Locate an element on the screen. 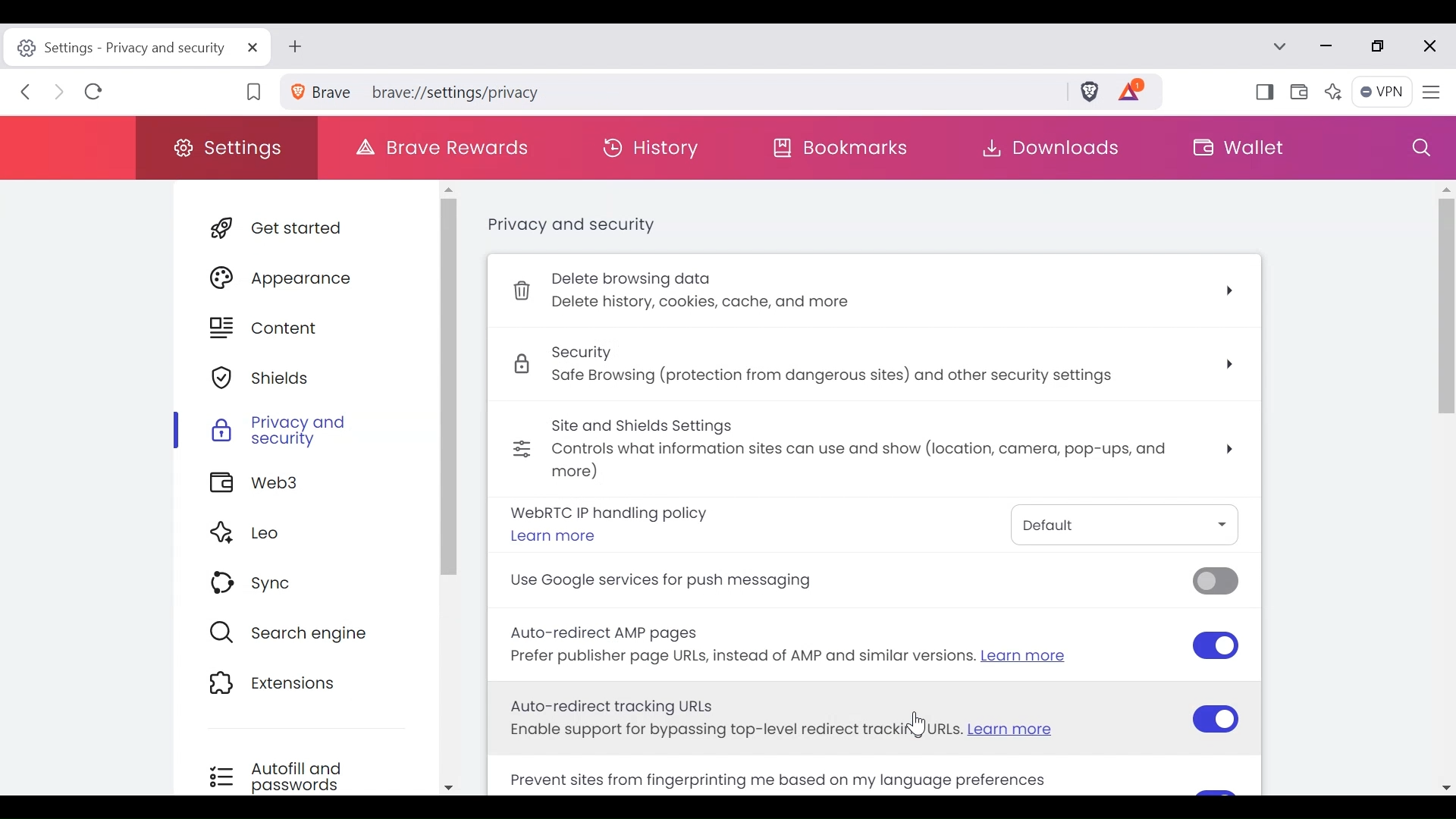 This screenshot has width=1456, height=819. Brave Rewards is located at coordinates (444, 145).